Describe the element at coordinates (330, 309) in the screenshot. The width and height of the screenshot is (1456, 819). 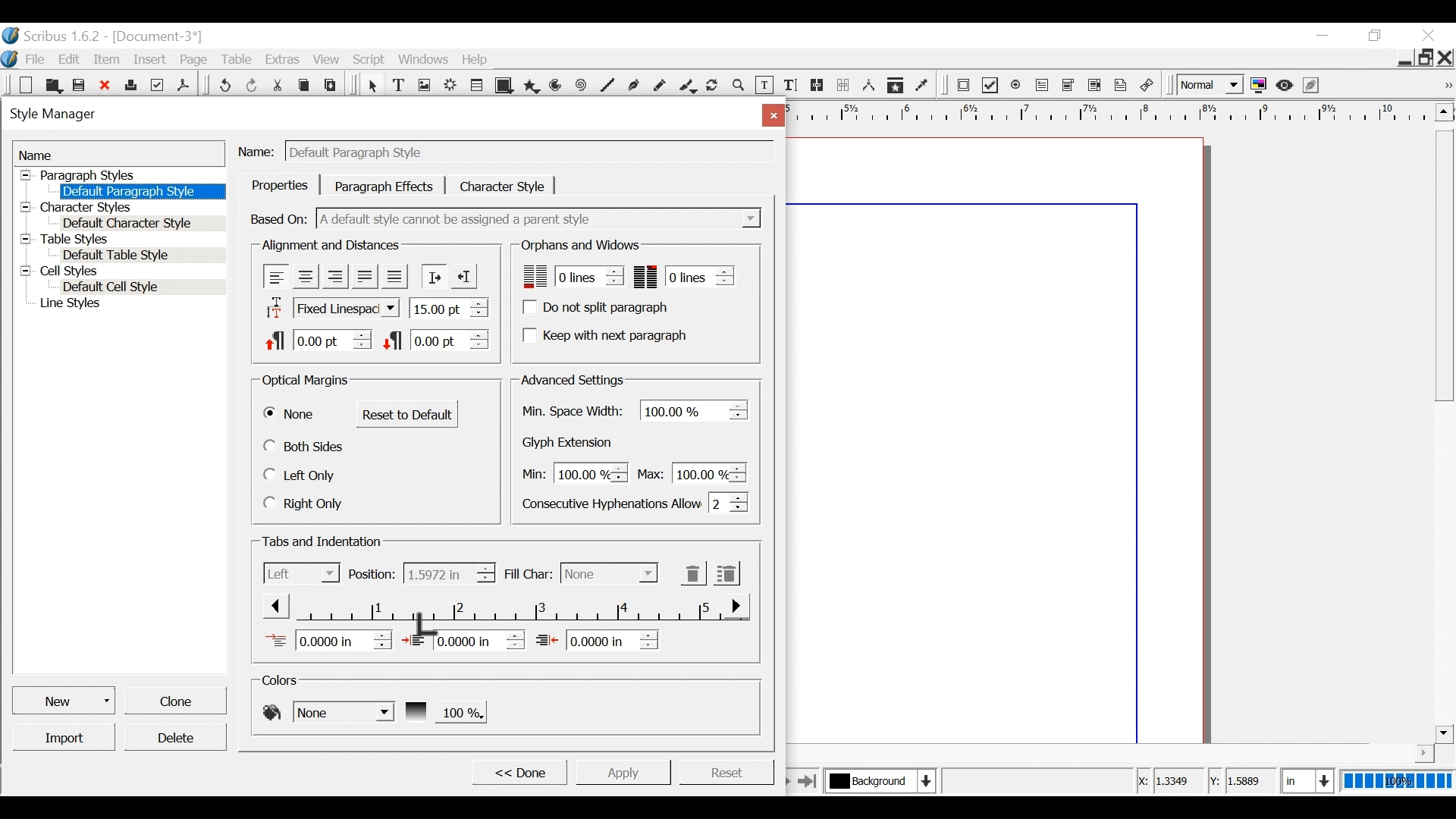
I see `line Spacing mode` at that location.